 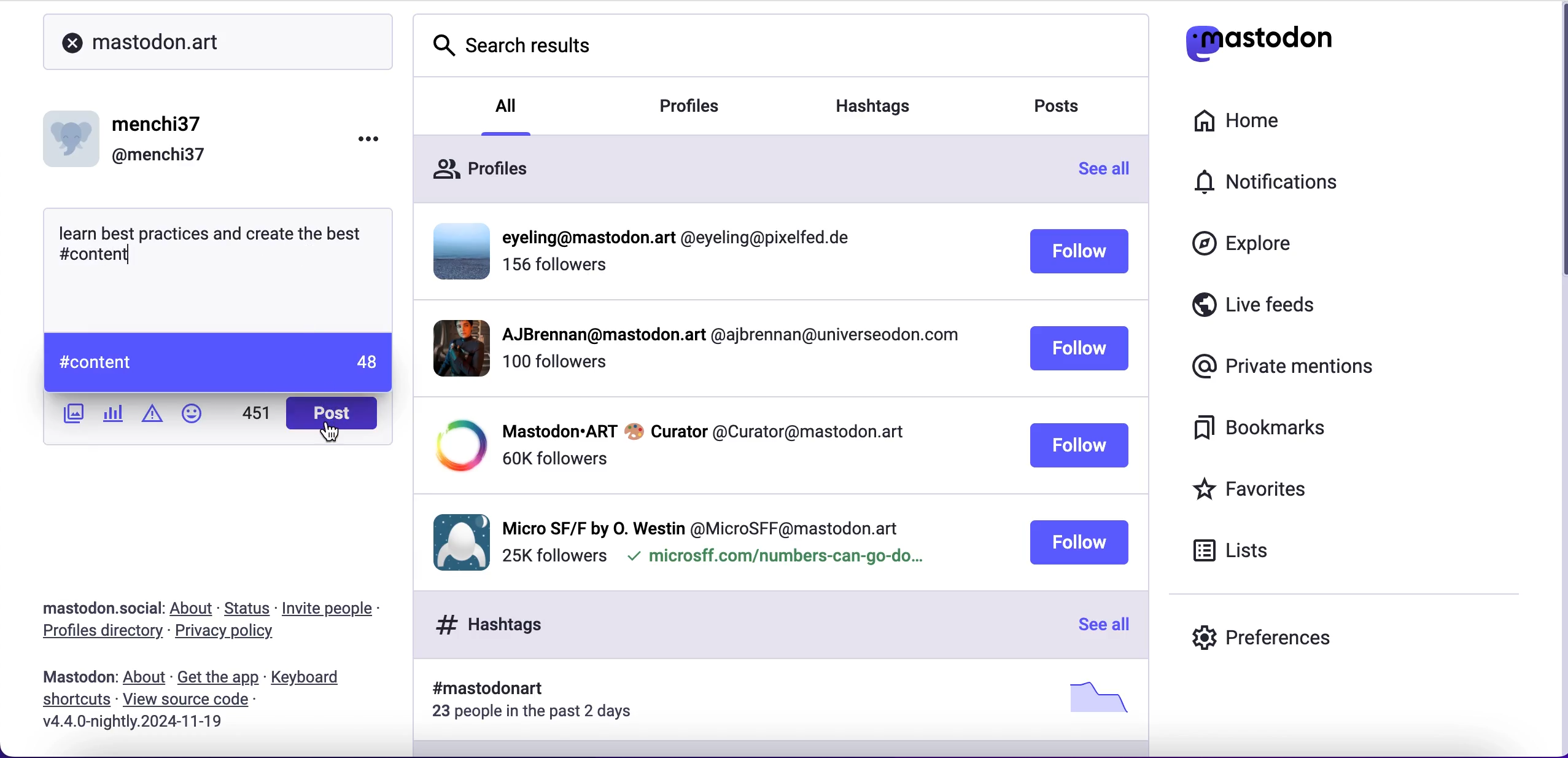 What do you see at coordinates (508, 104) in the screenshot?
I see `all` at bounding box center [508, 104].